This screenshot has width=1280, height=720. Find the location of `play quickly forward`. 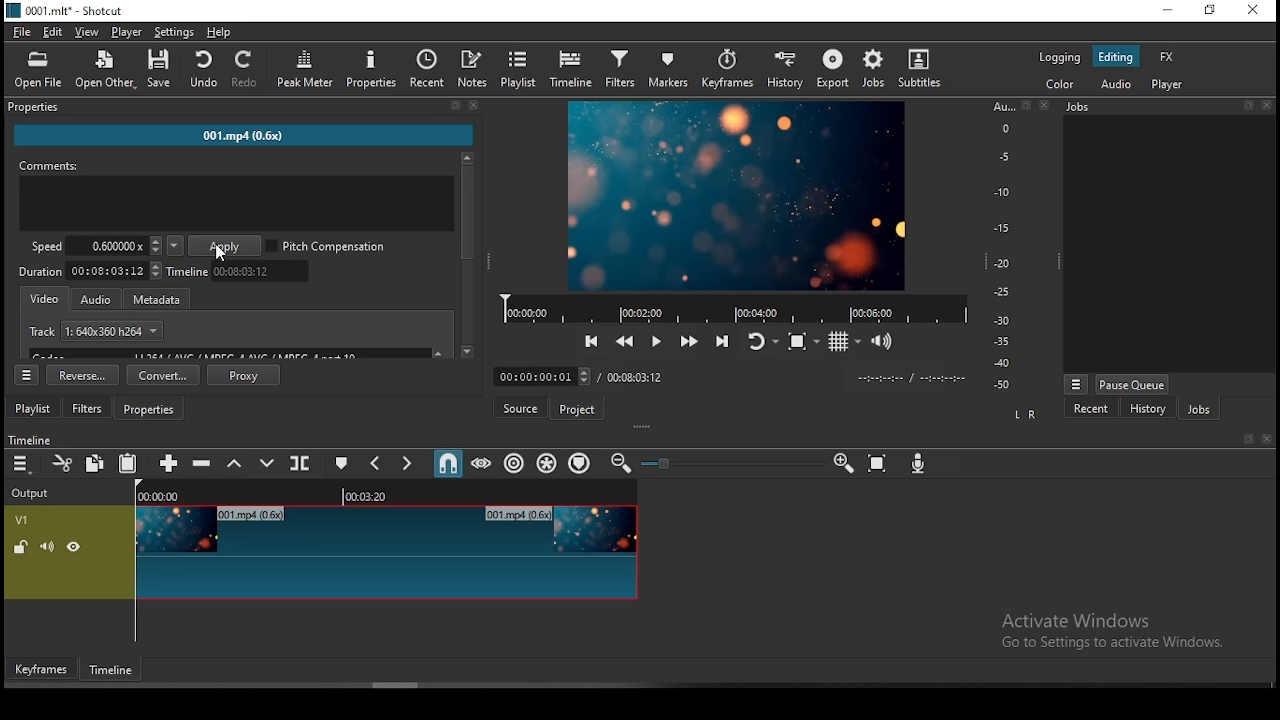

play quickly forward is located at coordinates (691, 341).